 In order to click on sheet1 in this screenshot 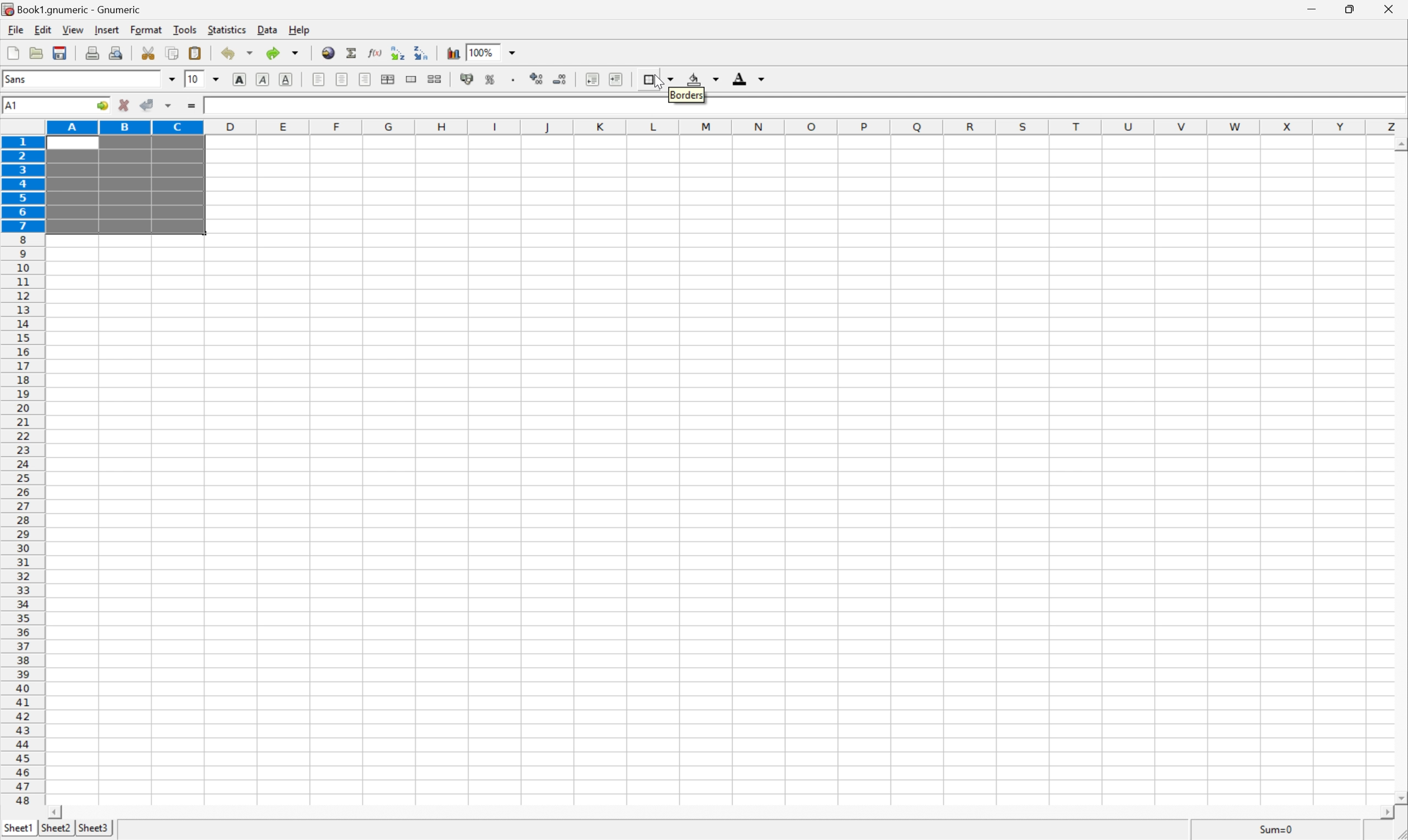, I will do `click(18, 830)`.